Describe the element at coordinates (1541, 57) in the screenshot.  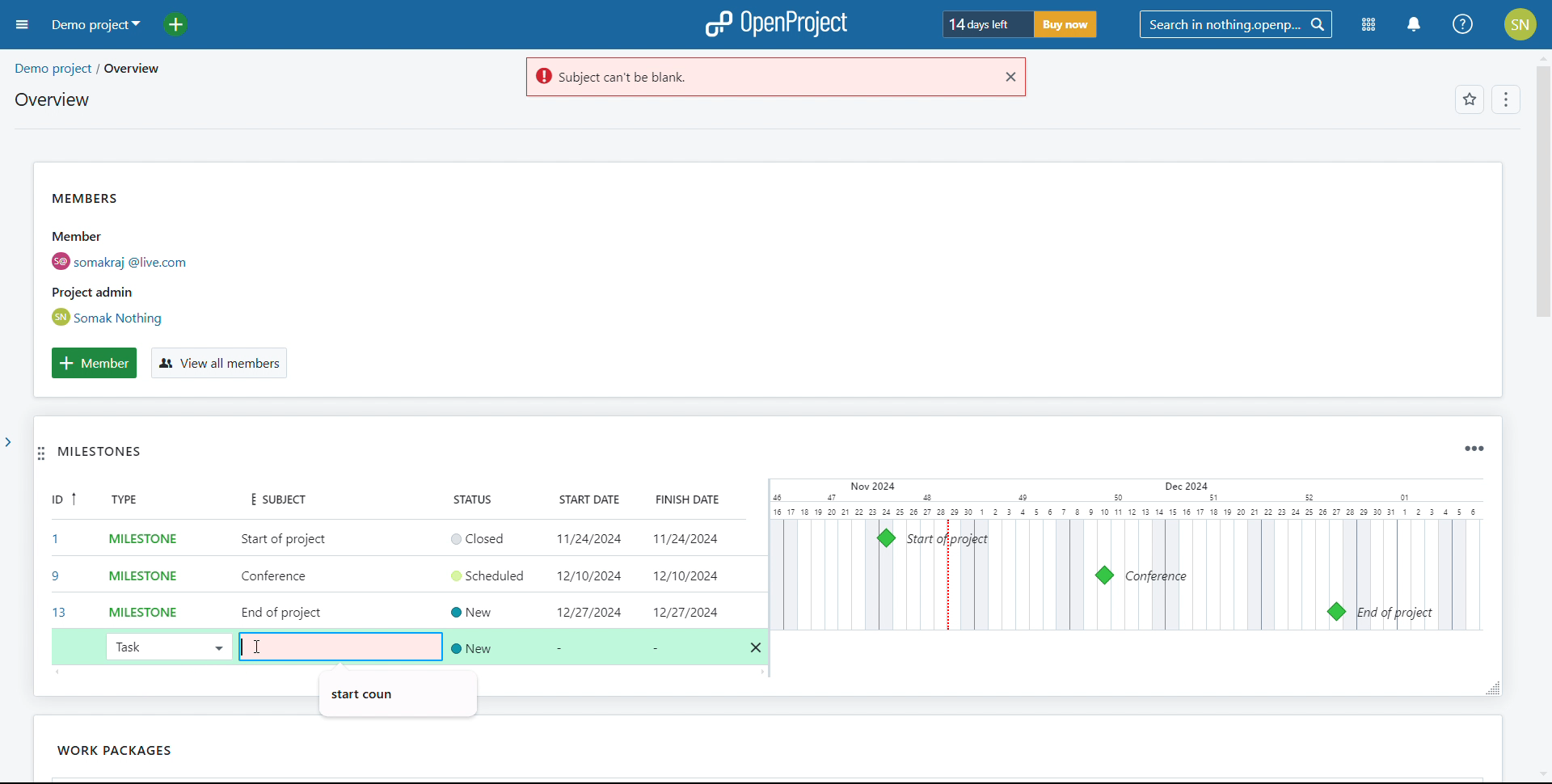
I see `scroll up` at that location.